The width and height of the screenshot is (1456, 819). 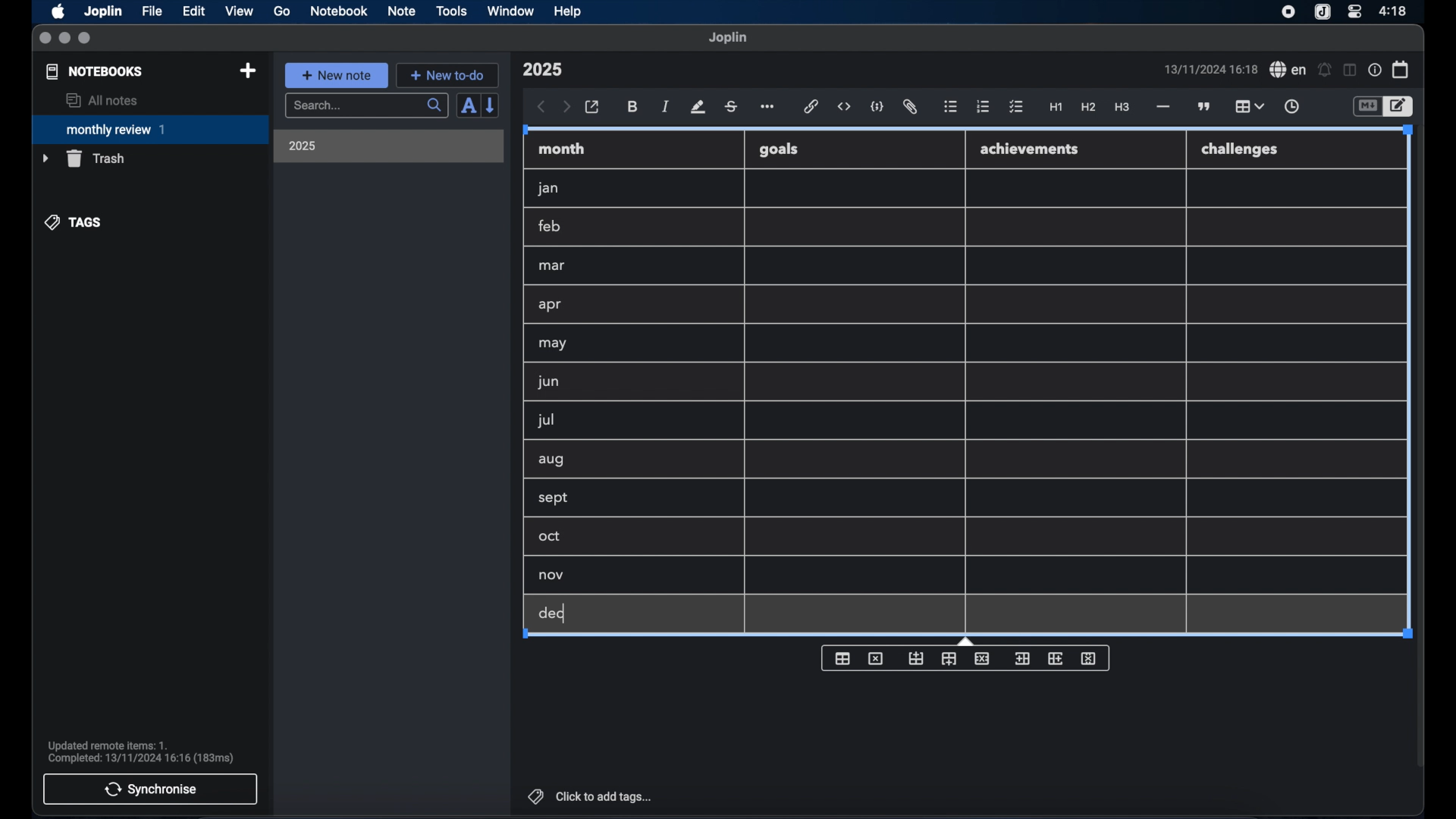 What do you see at coordinates (876, 657) in the screenshot?
I see `delete table` at bounding box center [876, 657].